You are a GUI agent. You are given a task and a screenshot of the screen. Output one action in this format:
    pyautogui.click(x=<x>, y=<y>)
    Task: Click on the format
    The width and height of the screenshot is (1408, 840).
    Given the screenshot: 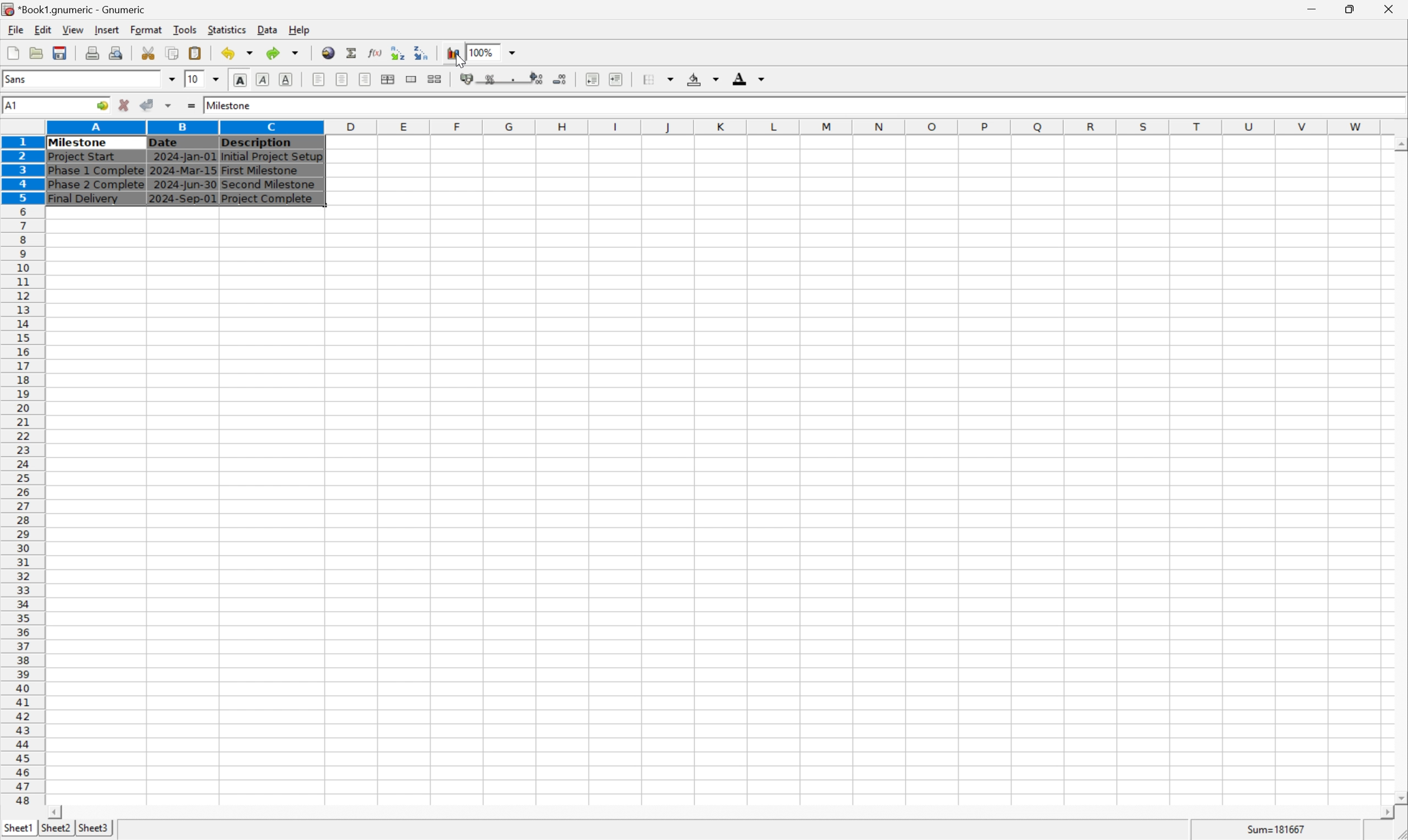 What is the action you would take?
    pyautogui.click(x=145, y=29)
    